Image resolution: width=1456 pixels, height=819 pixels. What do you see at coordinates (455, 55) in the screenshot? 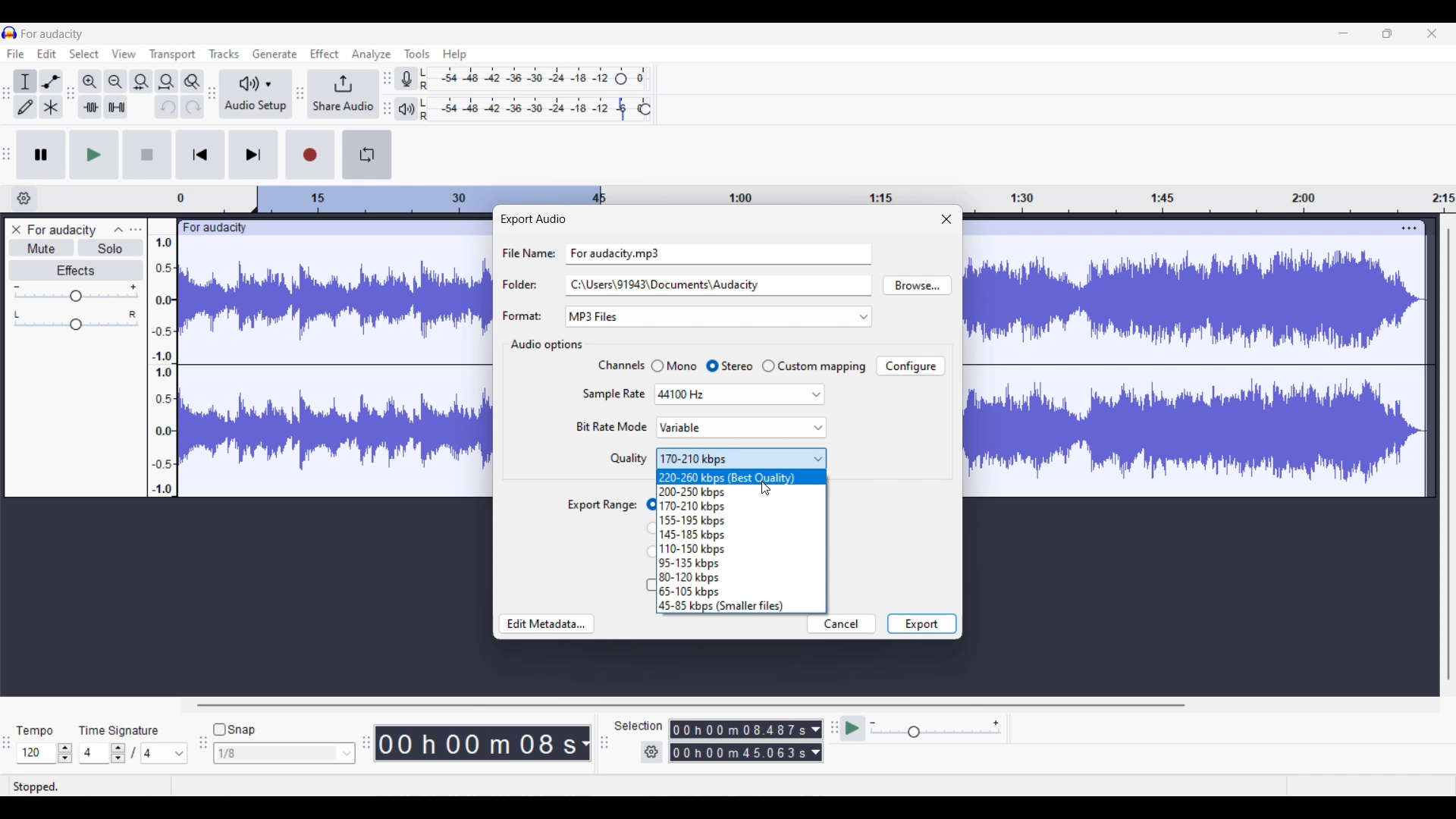
I see `Help menu` at bounding box center [455, 55].